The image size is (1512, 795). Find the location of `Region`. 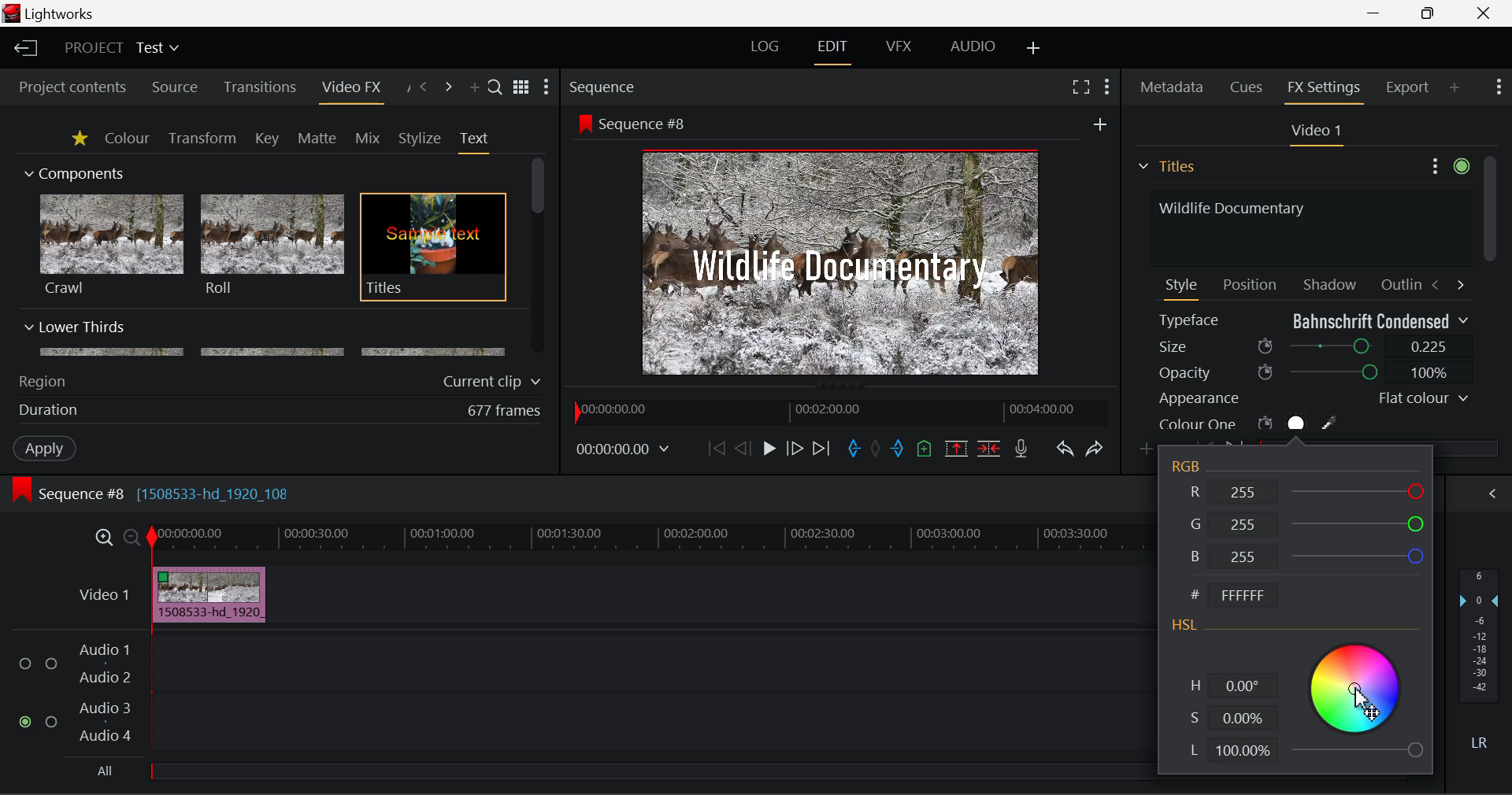

Region is located at coordinates (42, 382).